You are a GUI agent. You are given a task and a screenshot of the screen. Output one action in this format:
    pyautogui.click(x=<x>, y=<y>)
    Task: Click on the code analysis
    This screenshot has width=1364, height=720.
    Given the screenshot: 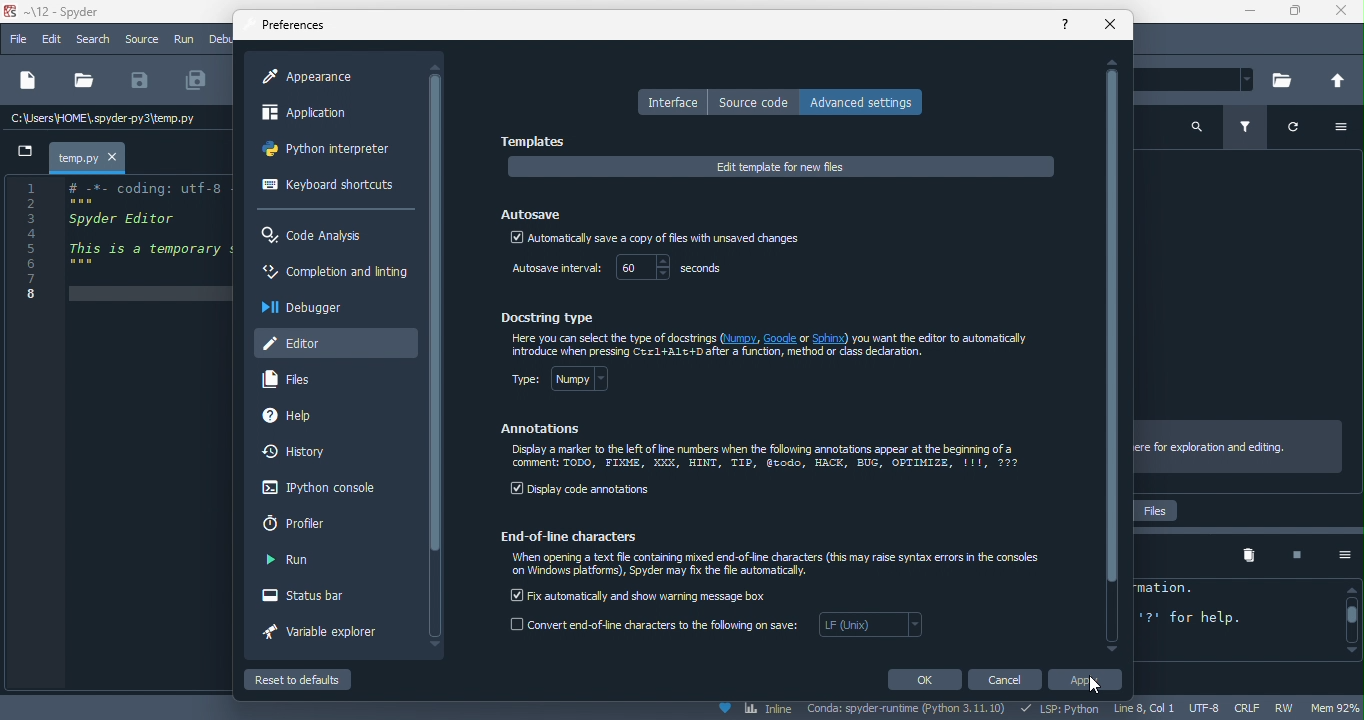 What is the action you would take?
    pyautogui.click(x=318, y=236)
    